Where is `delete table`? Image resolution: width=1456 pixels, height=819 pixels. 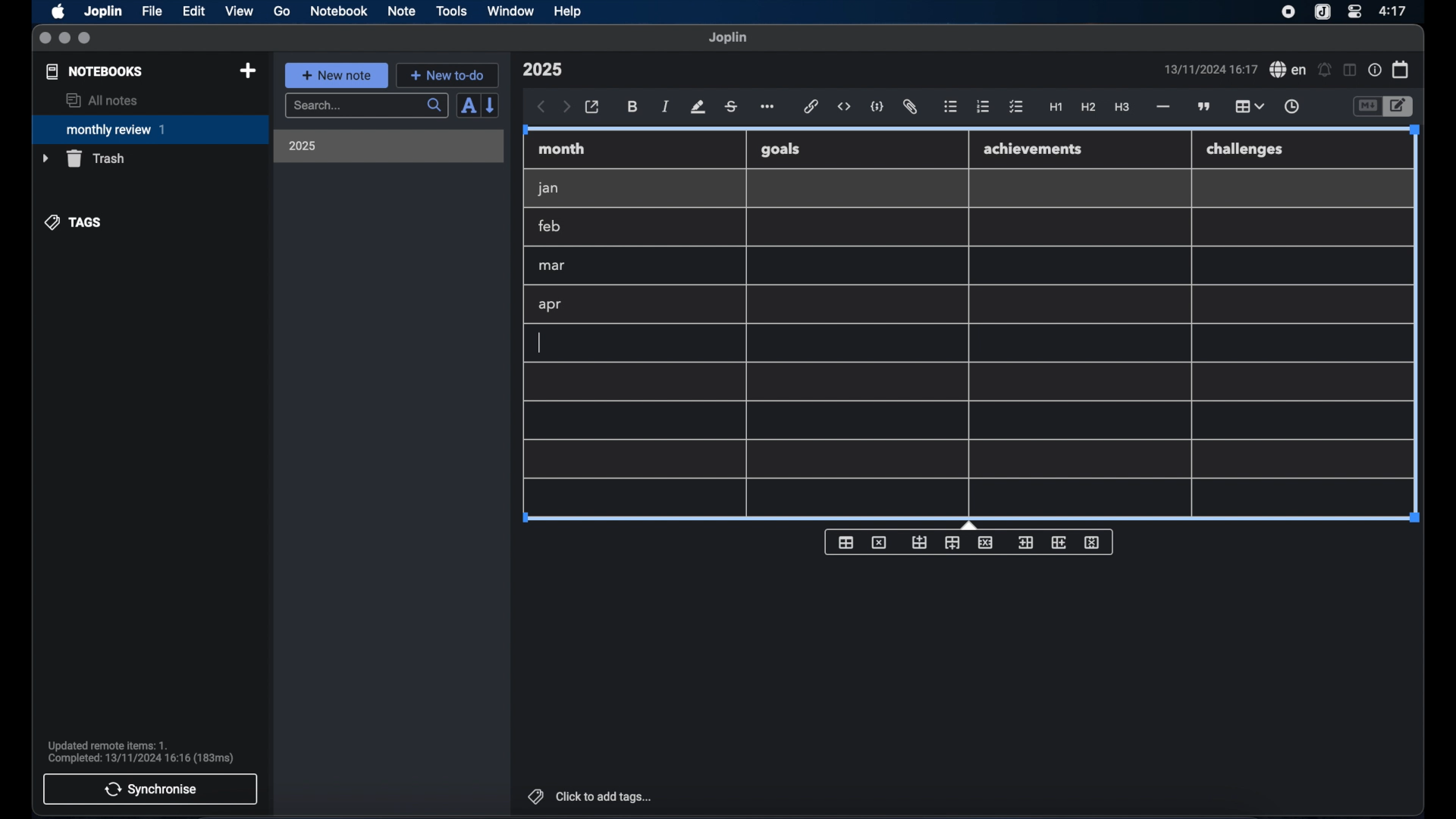
delete table is located at coordinates (879, 543).